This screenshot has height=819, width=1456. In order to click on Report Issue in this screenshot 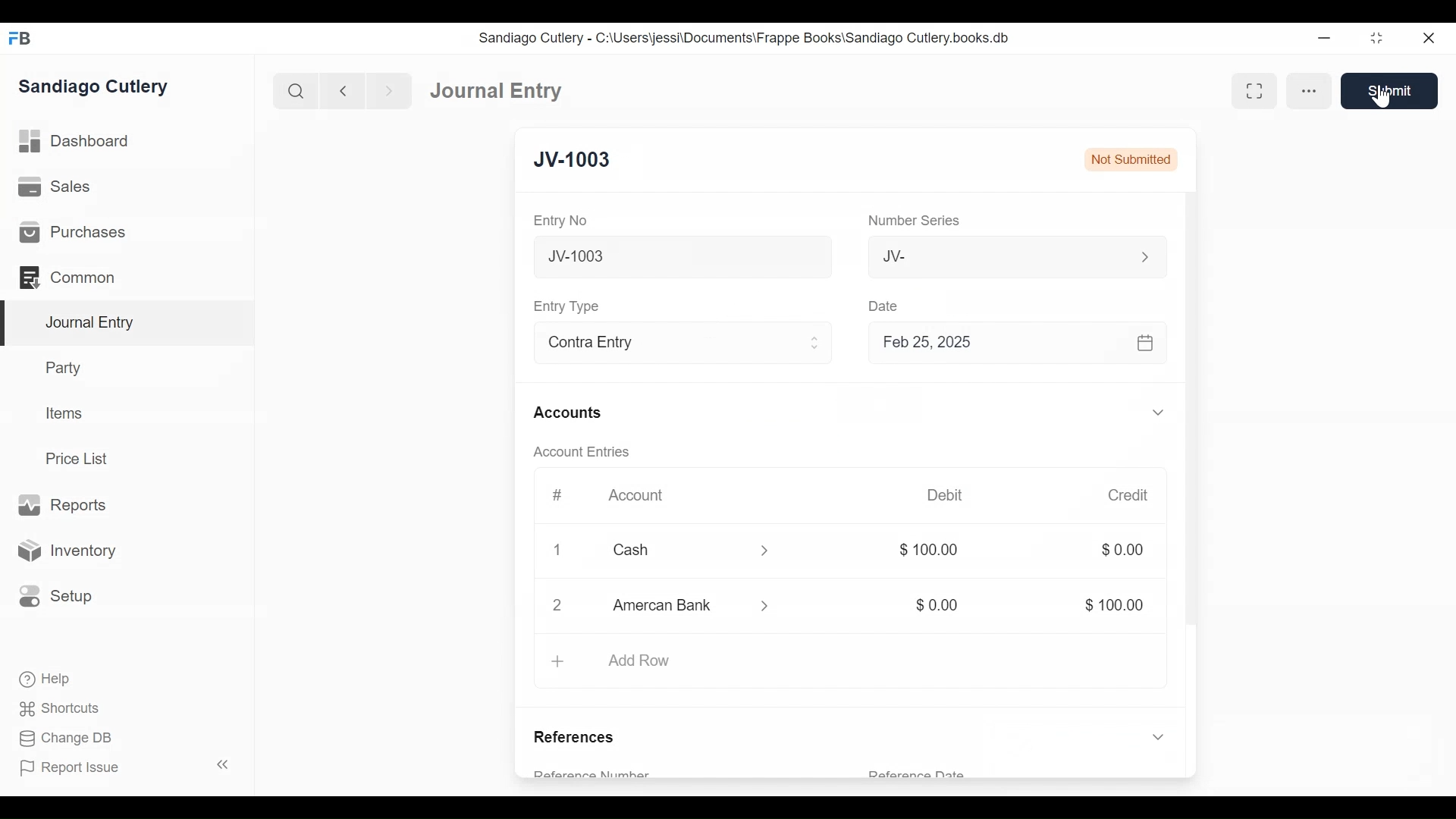, I will do `click(124, 767)`.